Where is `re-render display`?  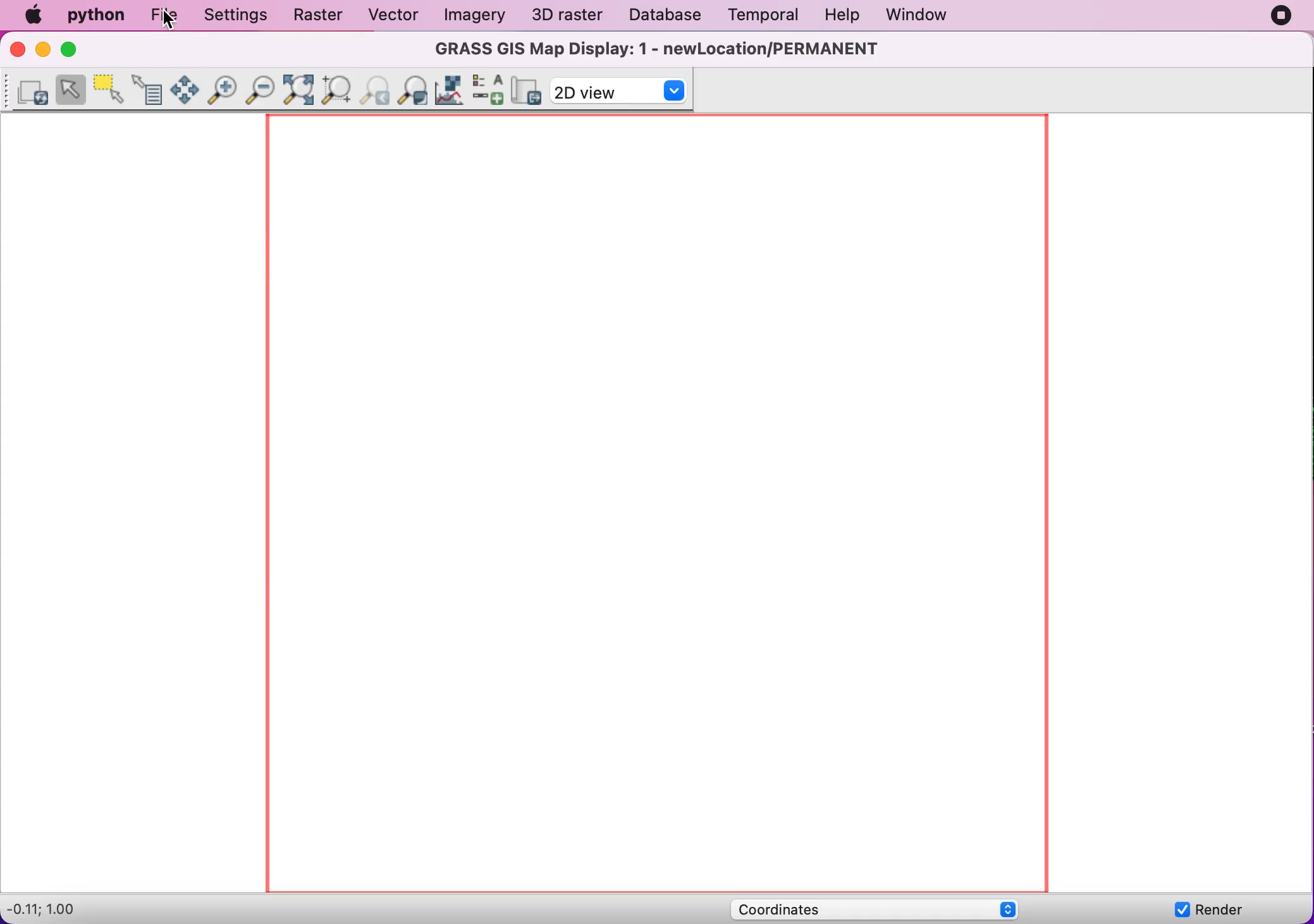 re-render display is located at coordinates (33, 90).